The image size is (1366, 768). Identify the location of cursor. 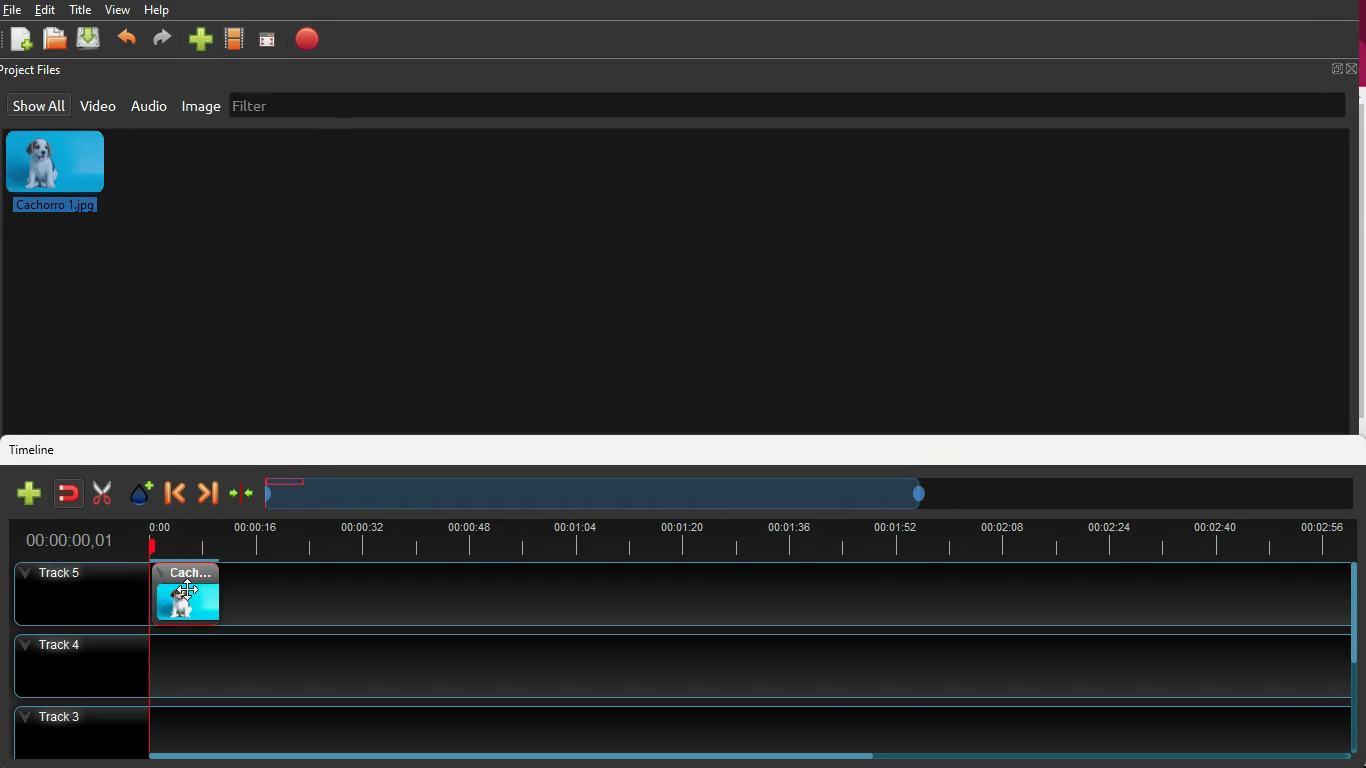
(186, 590).